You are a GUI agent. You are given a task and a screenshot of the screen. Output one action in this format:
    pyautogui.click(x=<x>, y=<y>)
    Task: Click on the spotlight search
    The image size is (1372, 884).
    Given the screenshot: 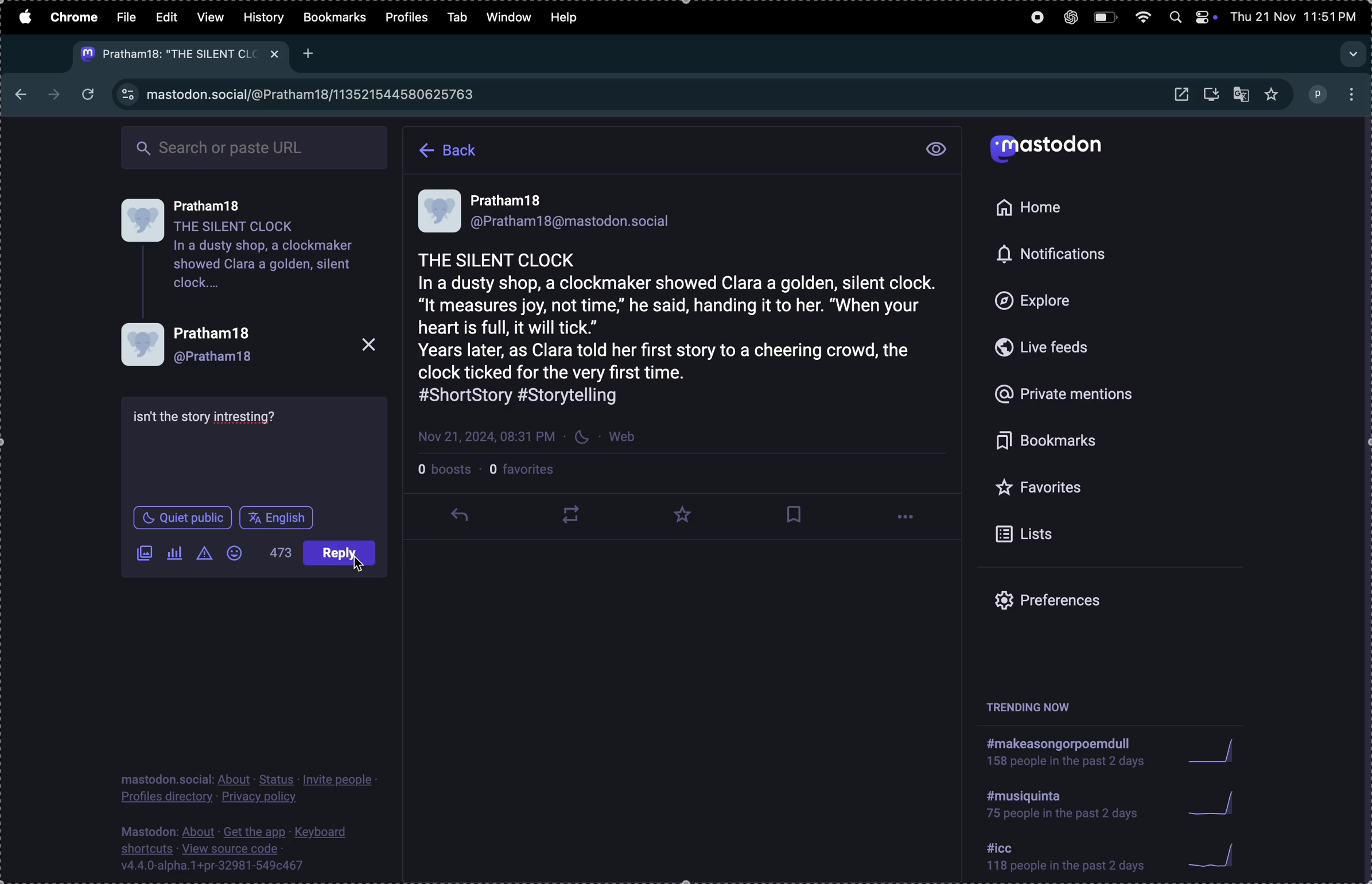 What is the action you would take?
    pyautogui.click(x=1175, y=20)
    